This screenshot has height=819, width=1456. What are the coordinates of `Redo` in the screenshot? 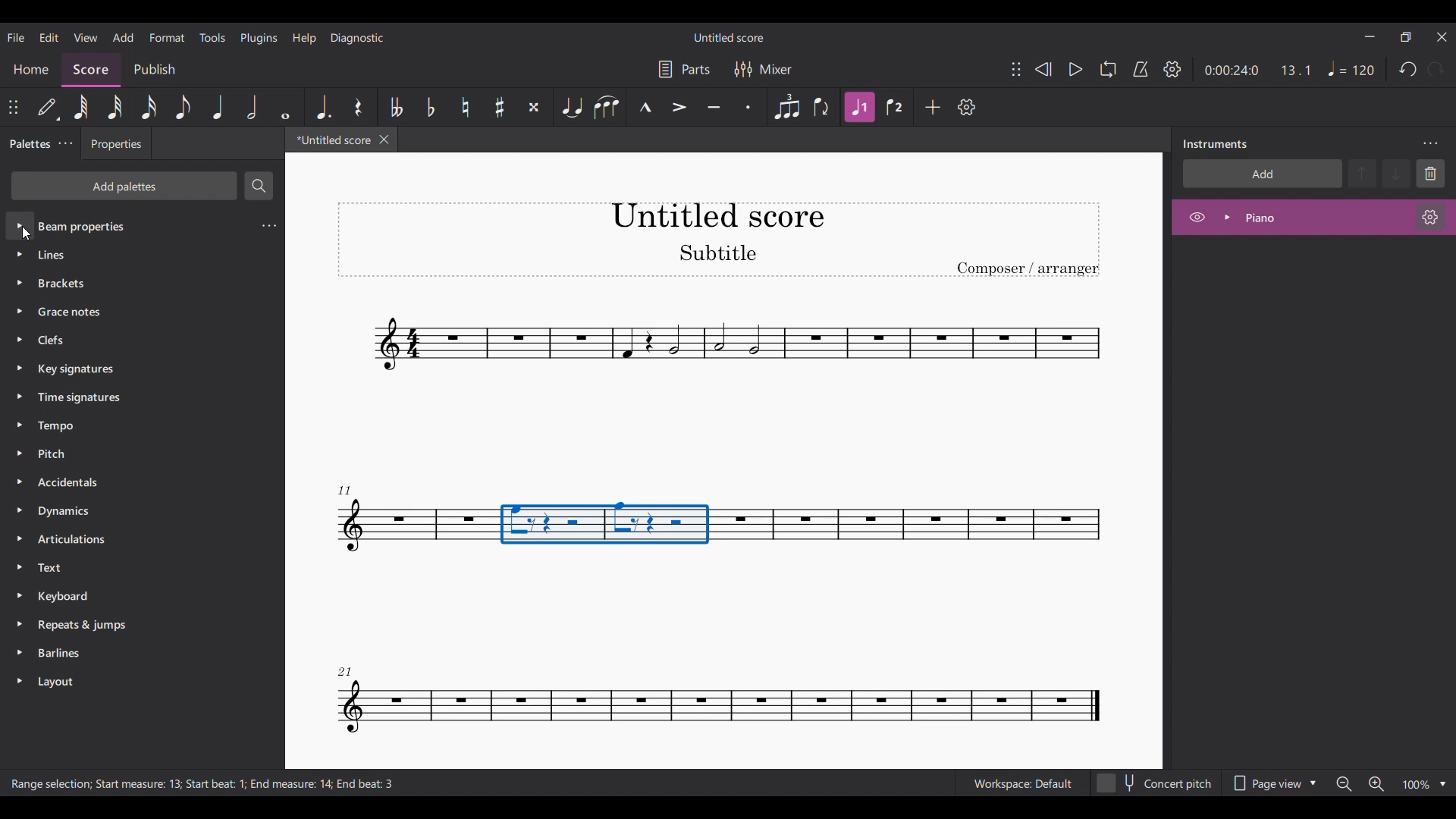 It's located at (1436, 69).